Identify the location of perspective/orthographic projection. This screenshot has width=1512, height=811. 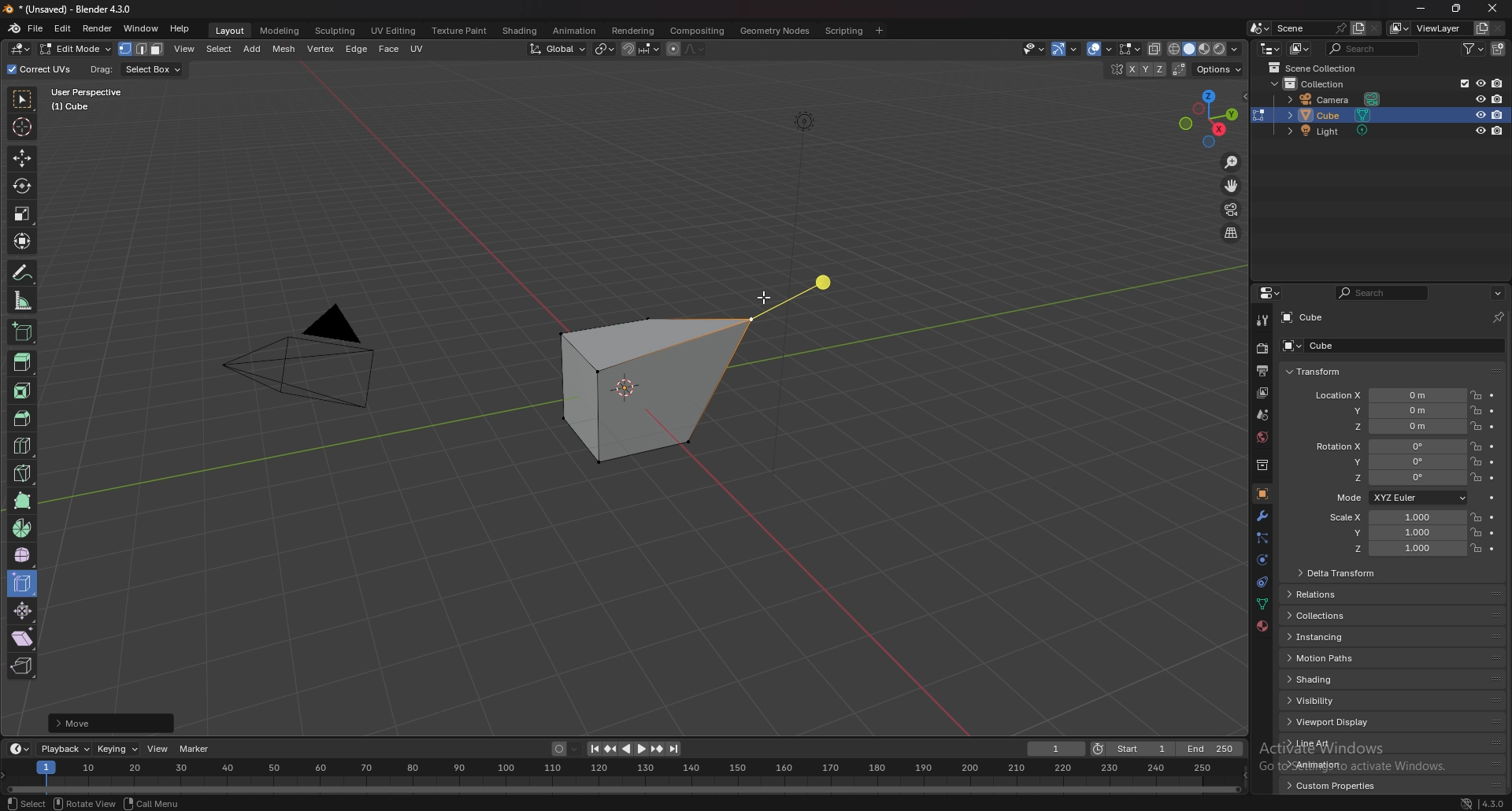
(1232, 233).